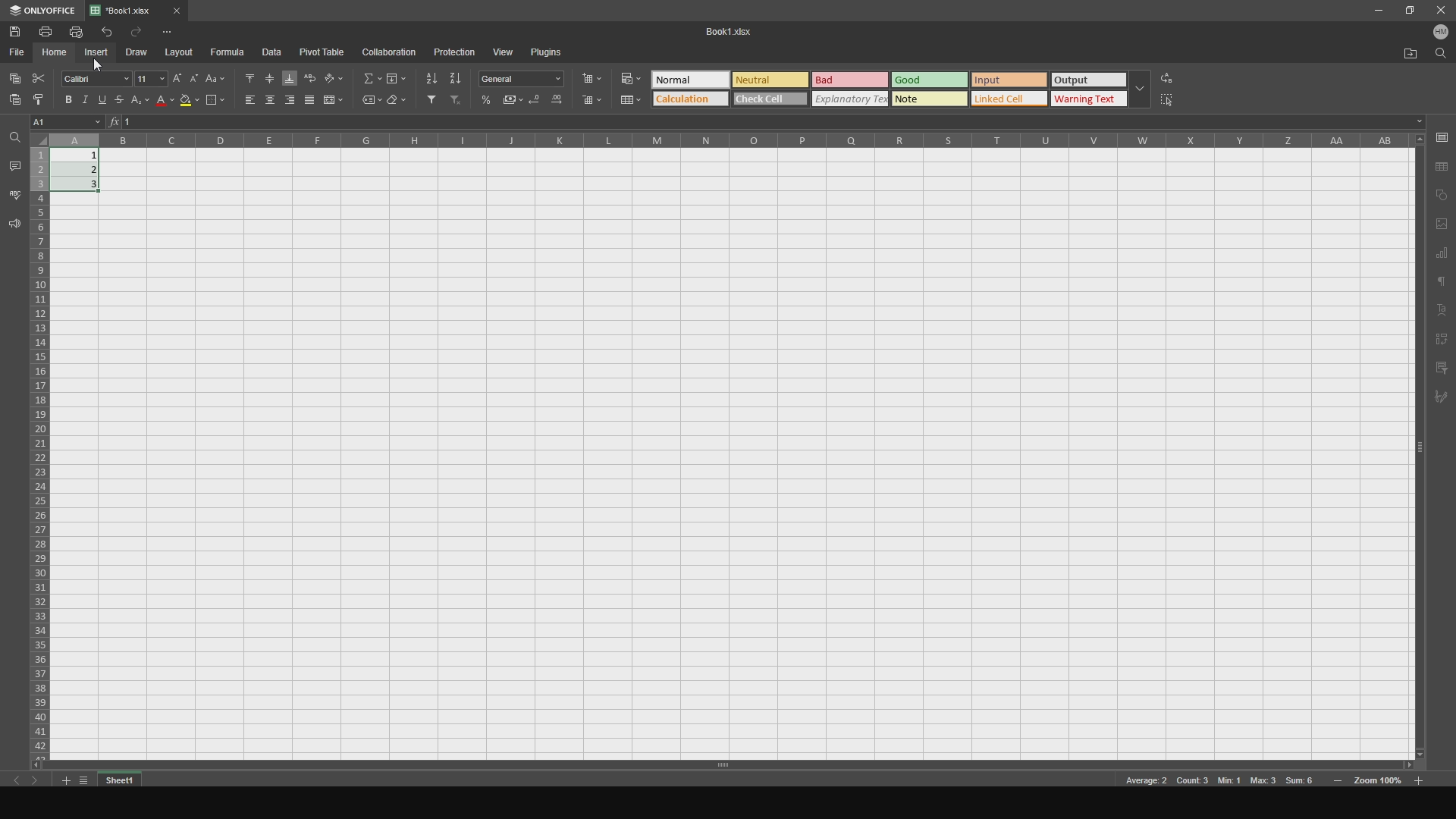  I want to click on copy, so click(14, 76).